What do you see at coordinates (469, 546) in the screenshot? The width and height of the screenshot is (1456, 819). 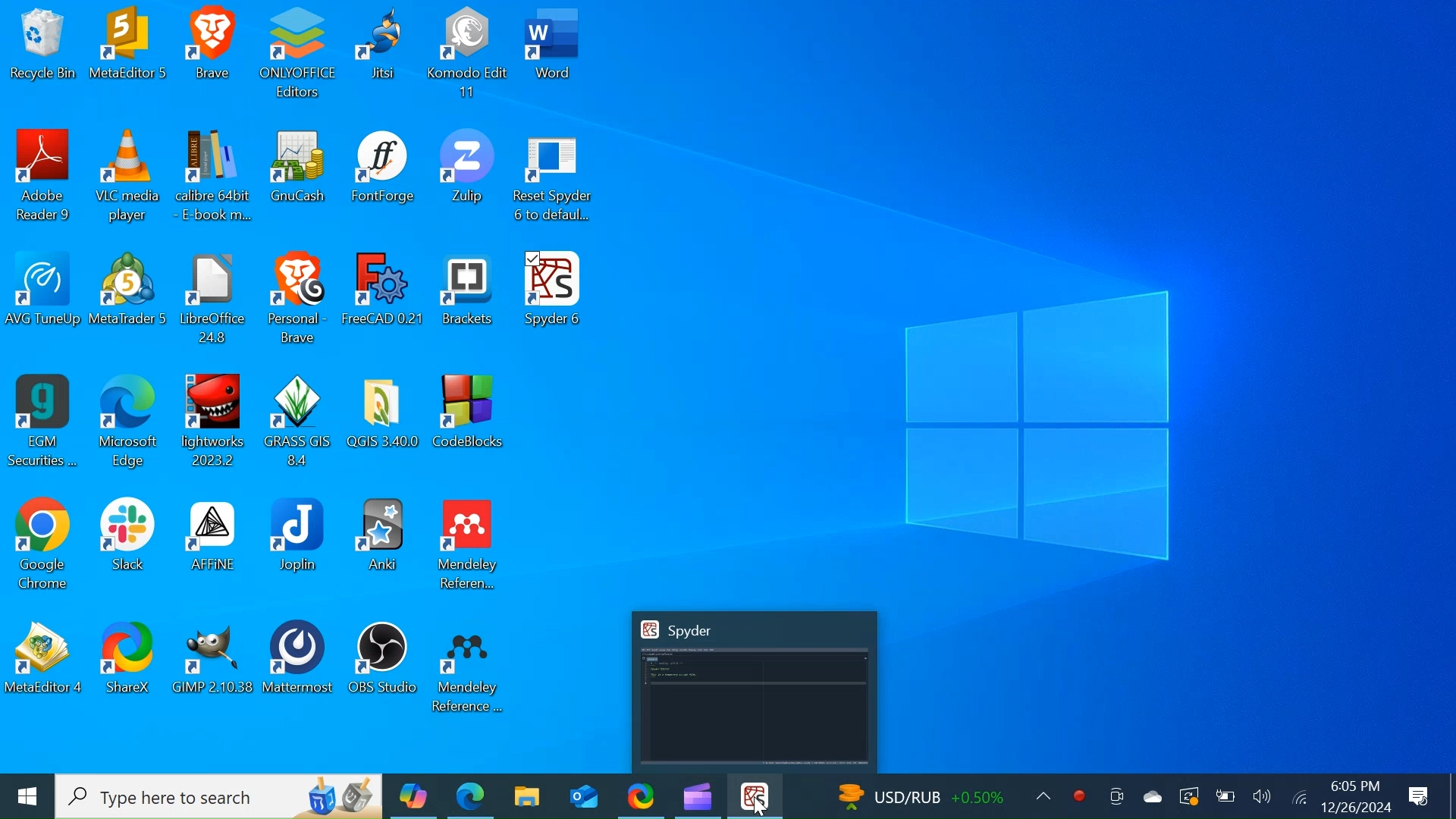 I see `Mendeley Reference Manager` at bounding box center [469, 546].